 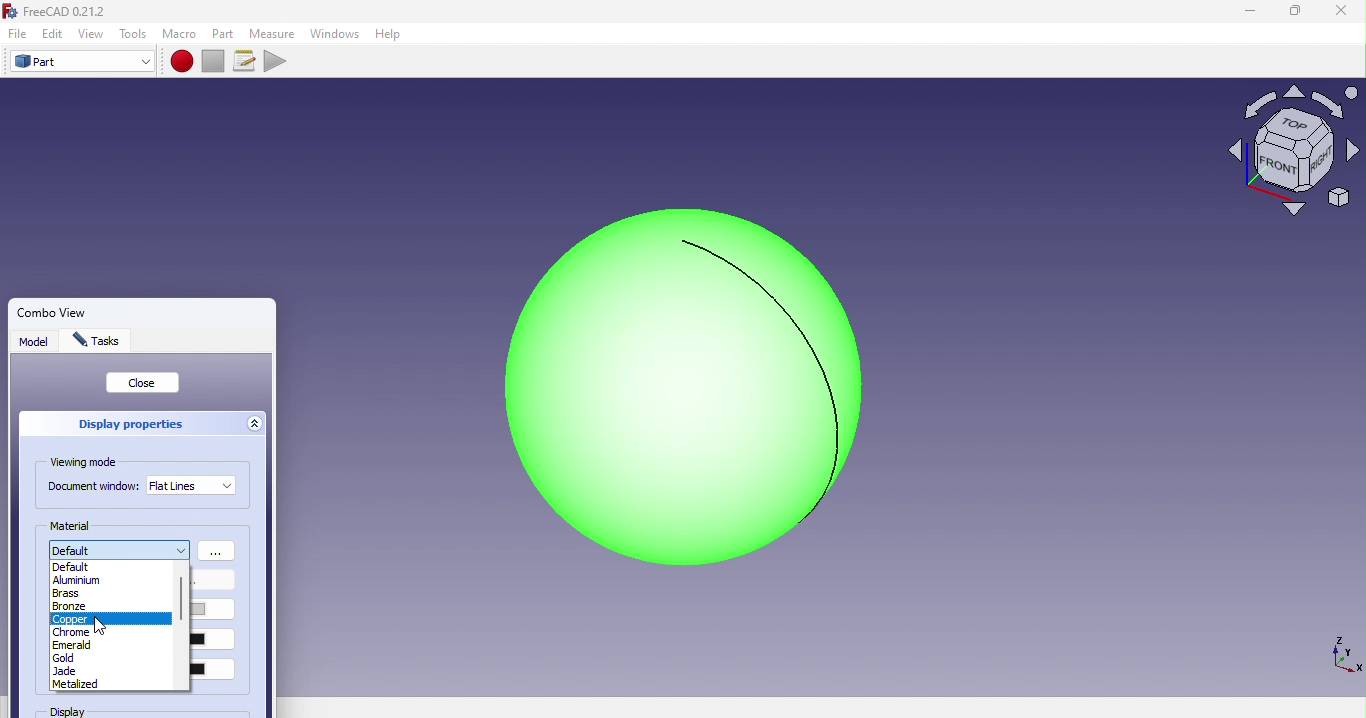 I want to click on Maximize, so click(x=1295, y=13).